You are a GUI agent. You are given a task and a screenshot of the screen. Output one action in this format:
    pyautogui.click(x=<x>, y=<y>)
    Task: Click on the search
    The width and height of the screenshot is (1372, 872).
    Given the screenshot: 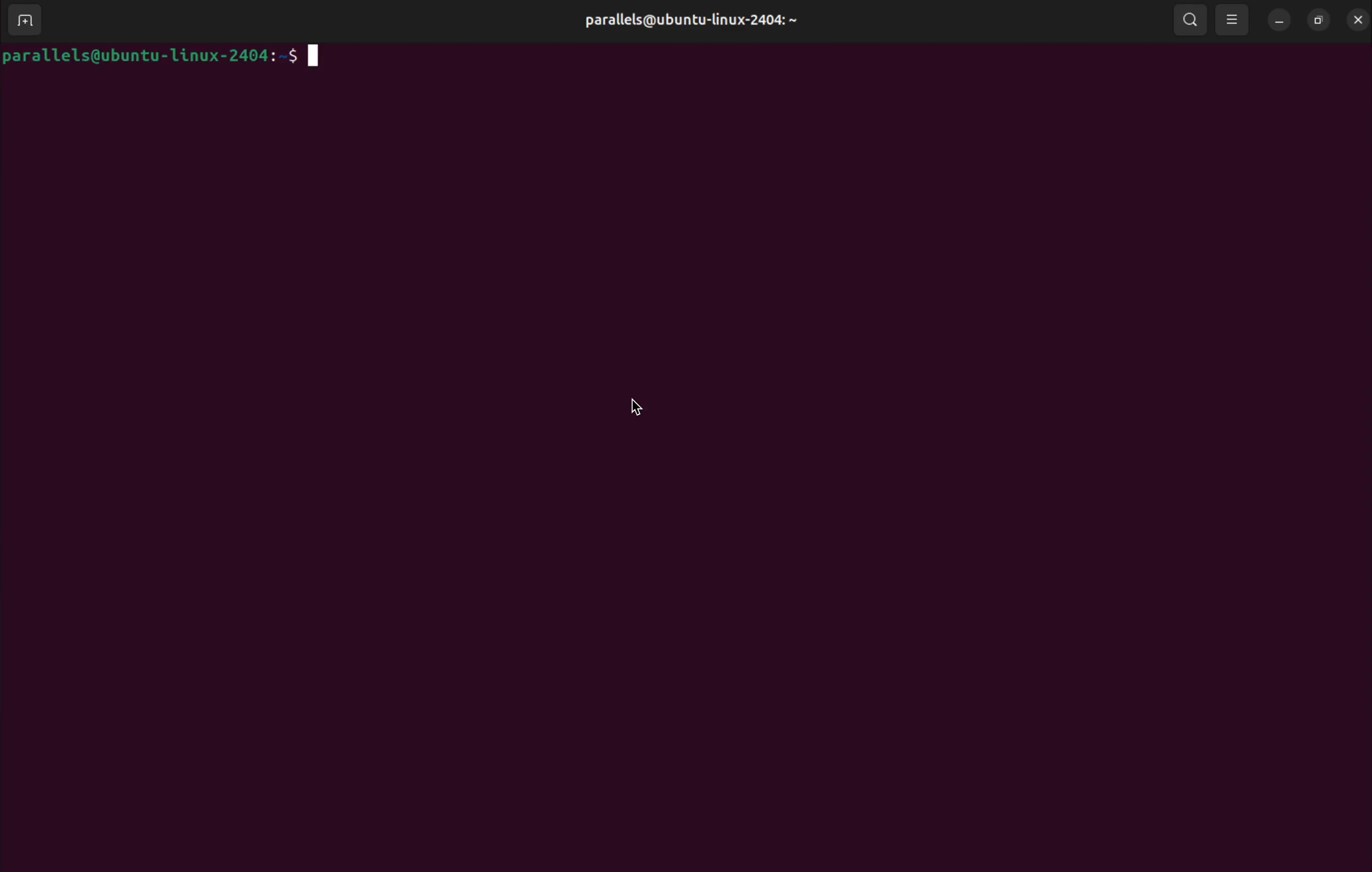 What is the action you would take?
    pyautogui.click(x=1188, y=19)
    